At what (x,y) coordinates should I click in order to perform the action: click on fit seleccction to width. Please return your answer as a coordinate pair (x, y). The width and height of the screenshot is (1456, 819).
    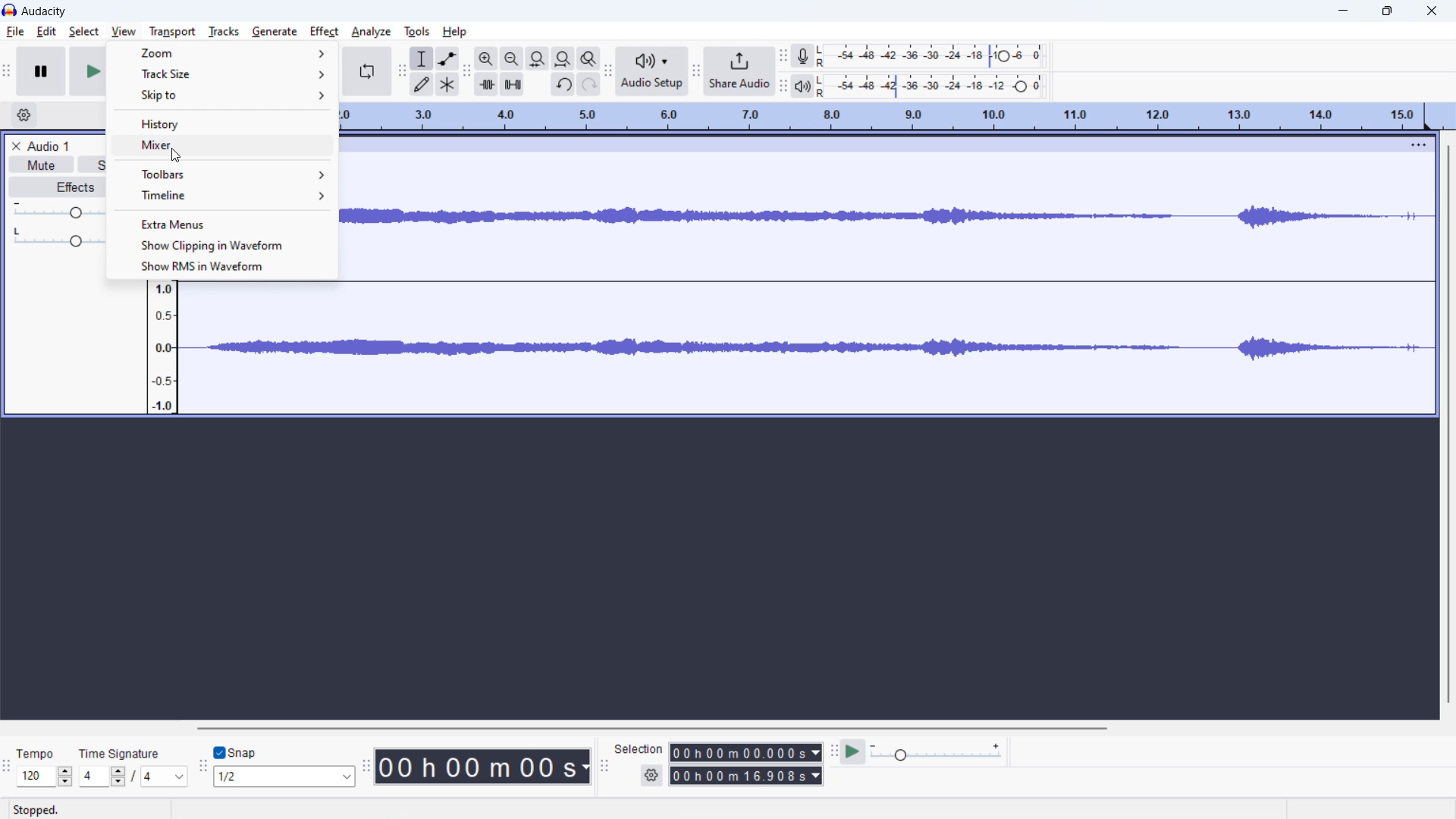
    Looking at the image, I should click on (538, 58).